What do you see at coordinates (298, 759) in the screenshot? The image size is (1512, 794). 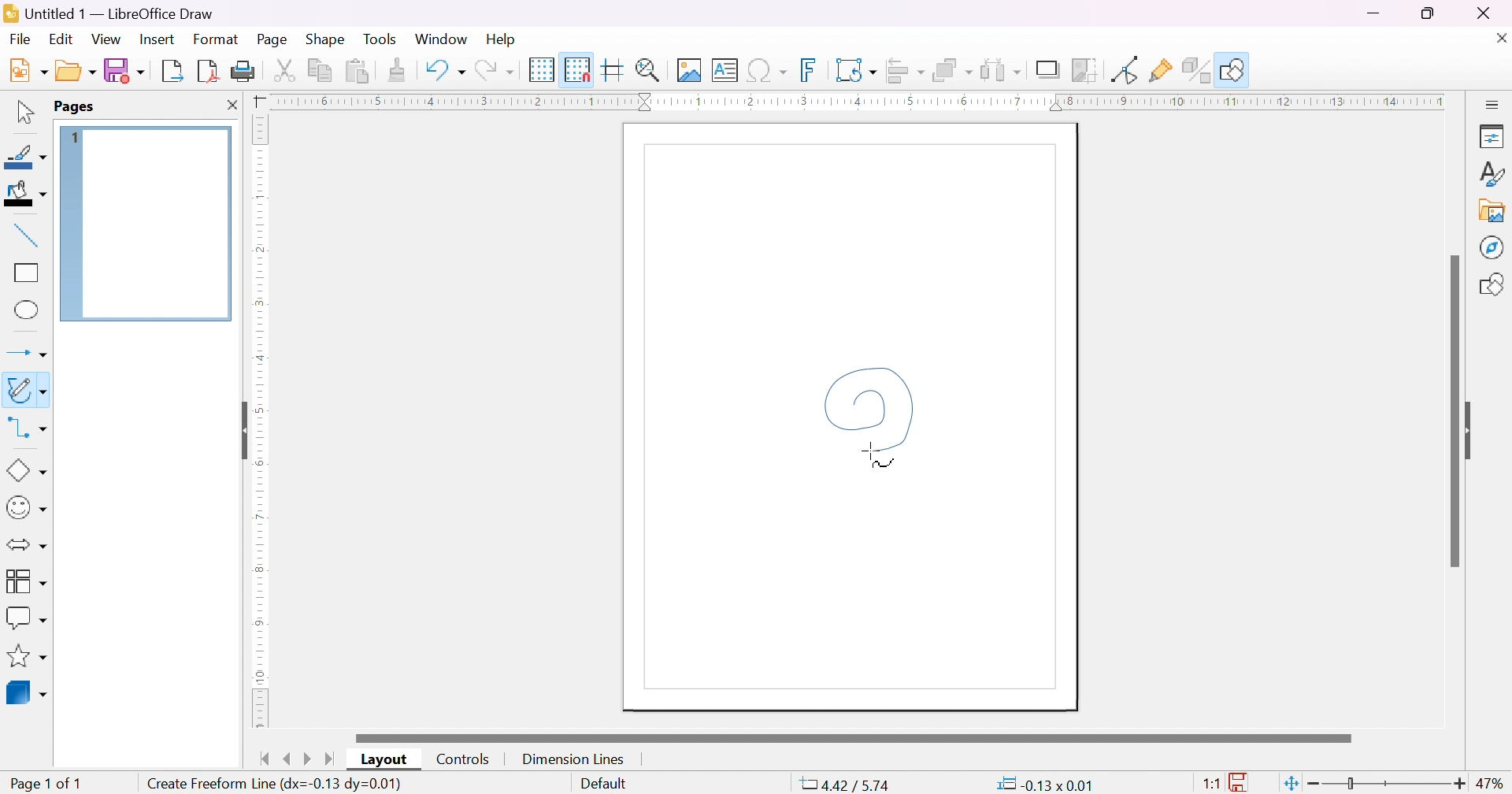 I see `next/previous` at bounding box center [298, 759].